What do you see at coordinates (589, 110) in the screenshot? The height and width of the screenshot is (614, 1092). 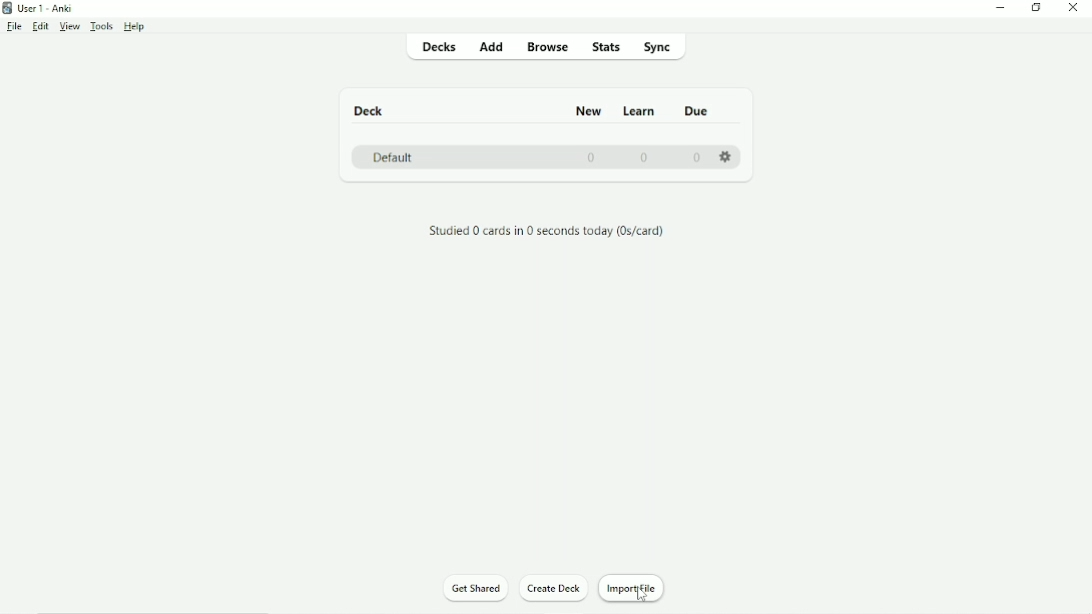 I see `New` at bounding box center [589, 110].